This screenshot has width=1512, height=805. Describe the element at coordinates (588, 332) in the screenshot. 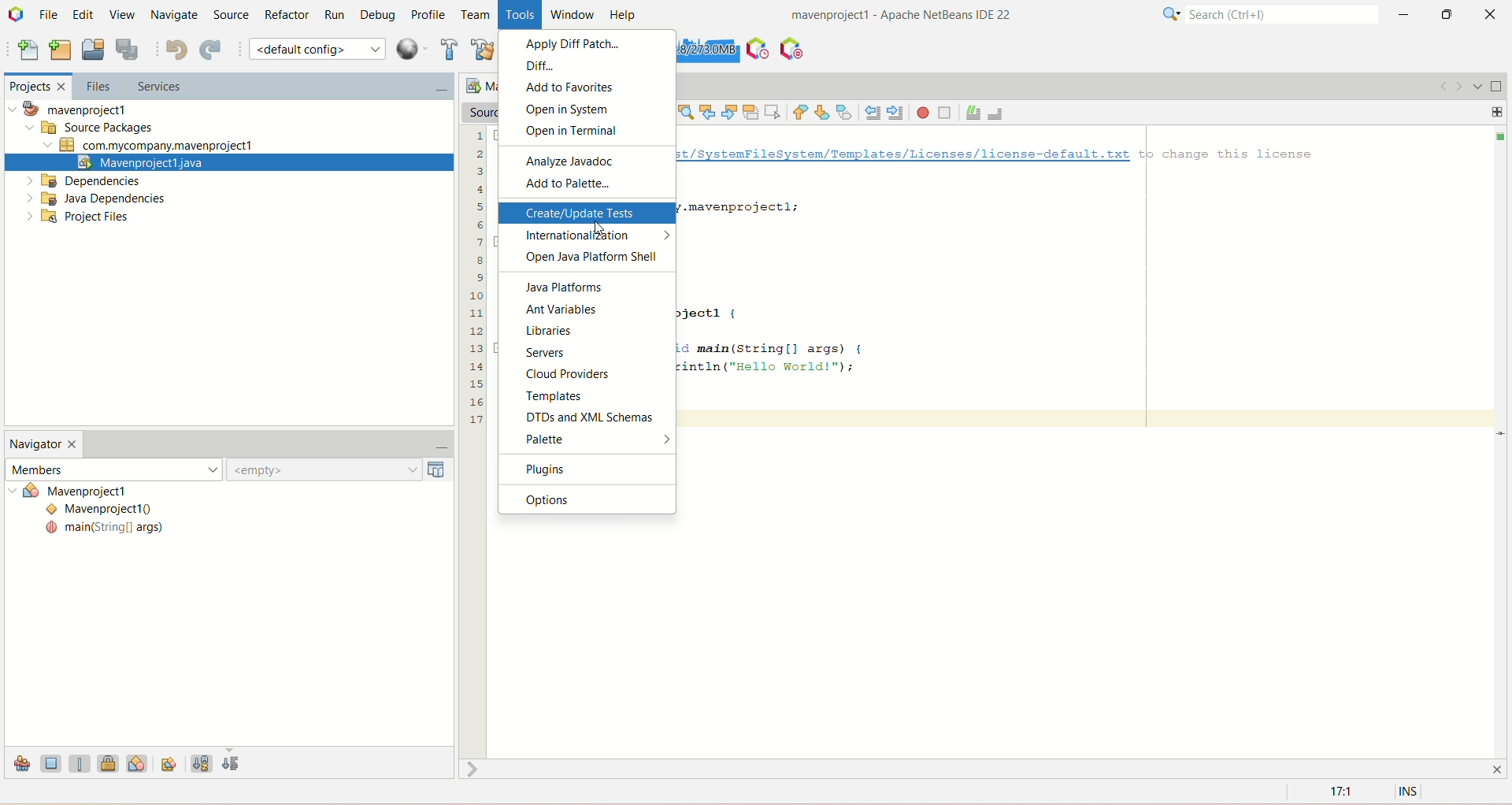

I see `libraries` at that location.